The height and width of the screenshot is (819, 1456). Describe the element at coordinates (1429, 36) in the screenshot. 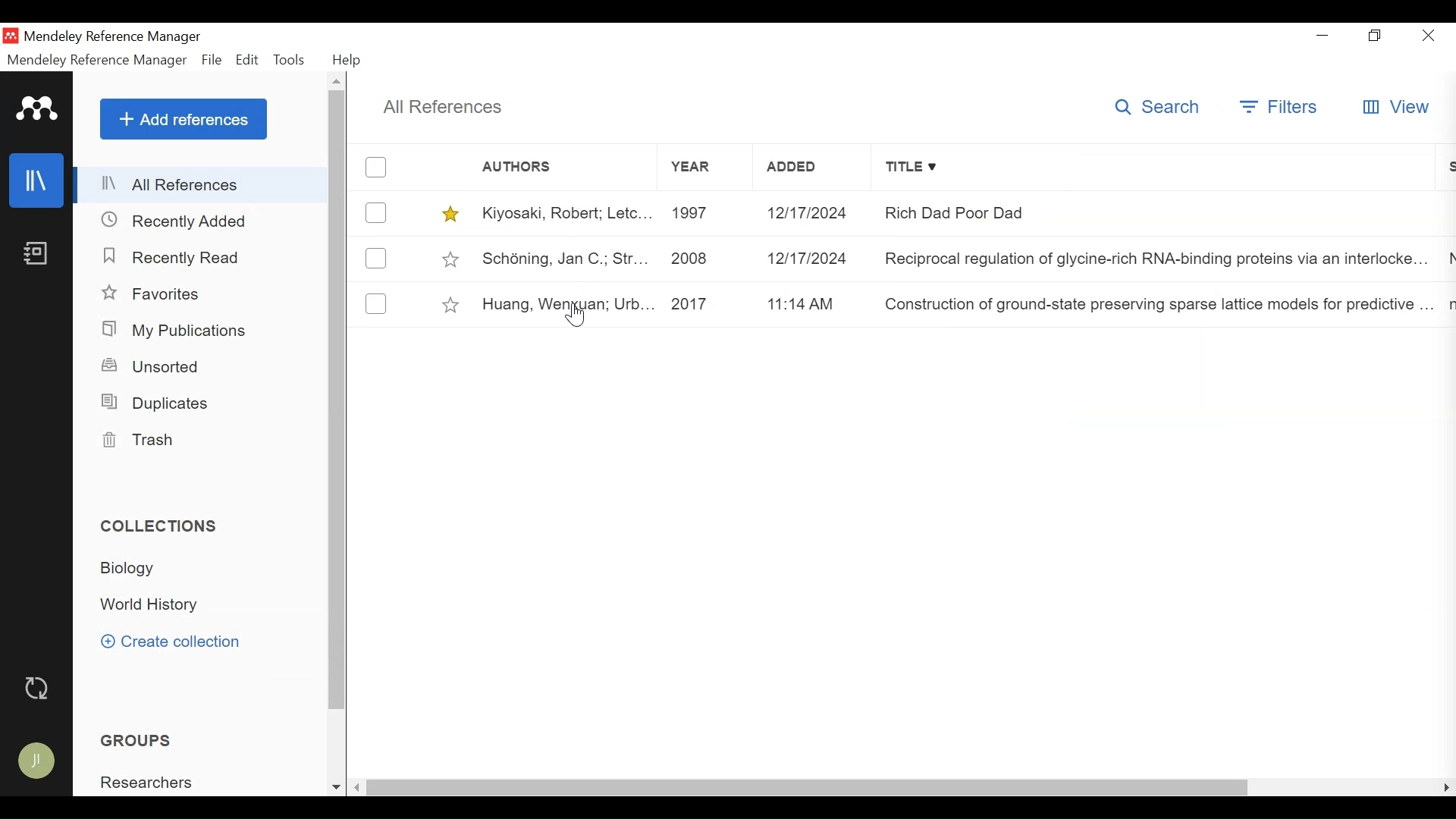

I see `Close` at that location.